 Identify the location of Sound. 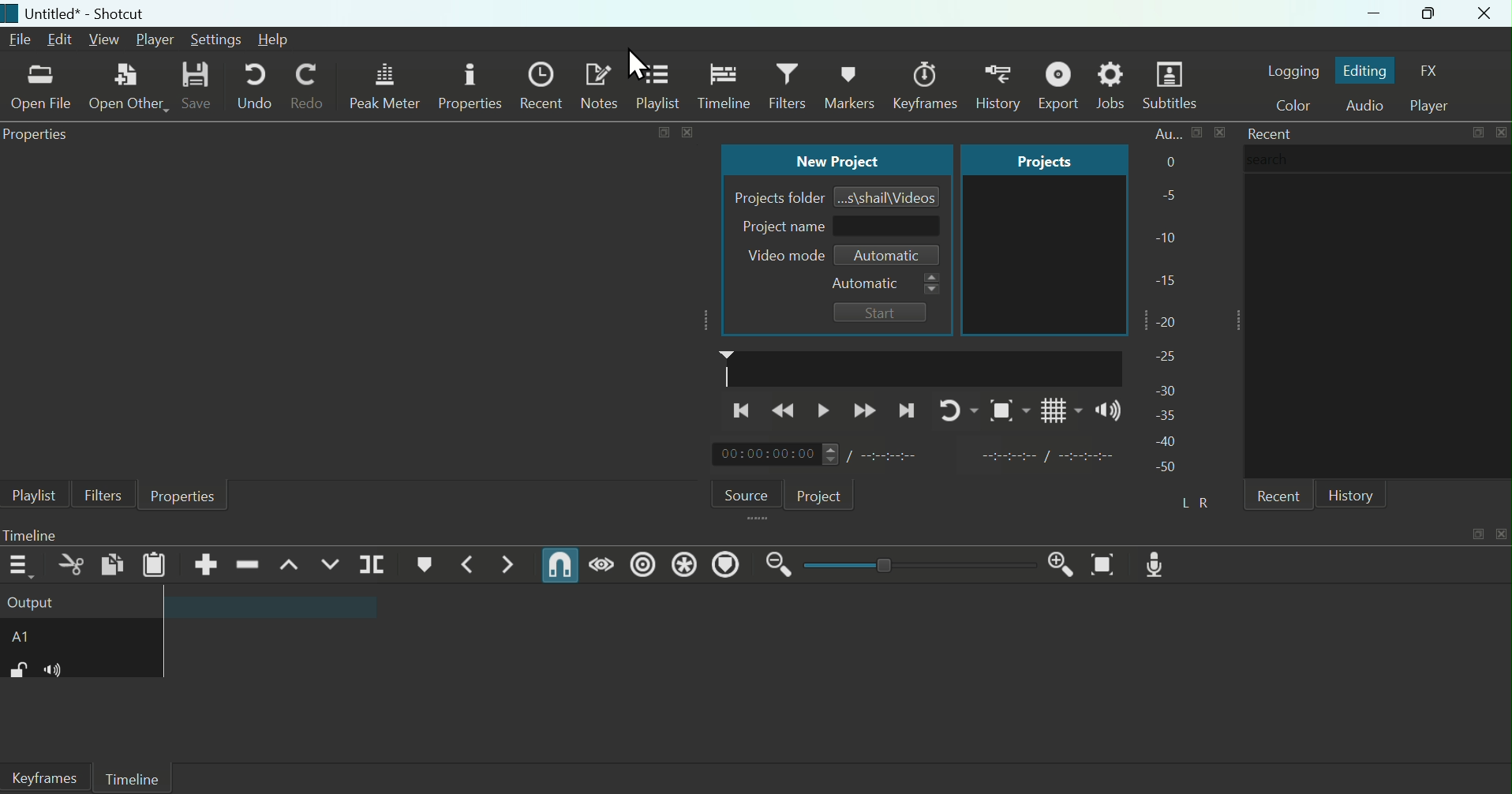
(1106, 410).